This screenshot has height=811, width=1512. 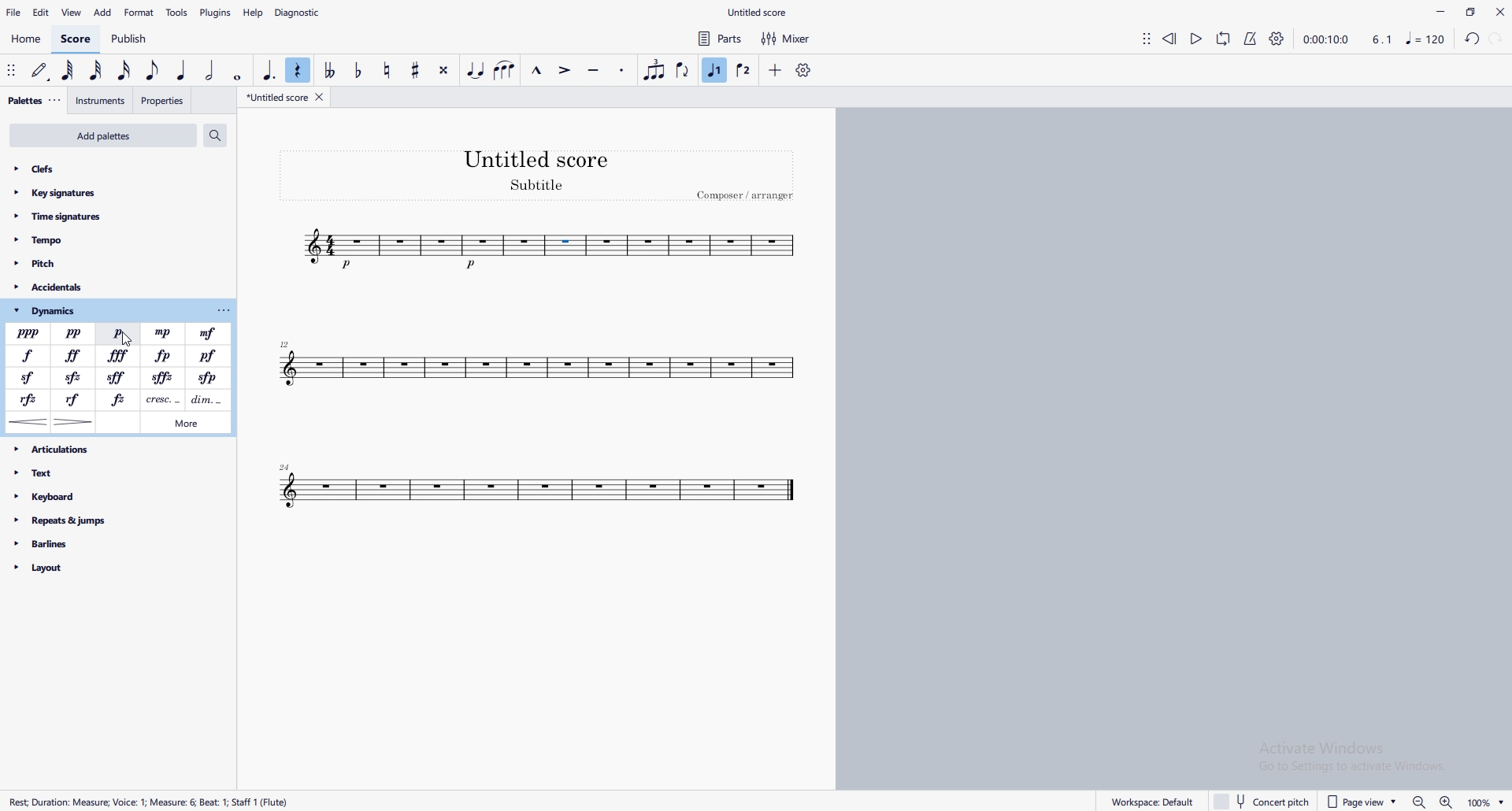 I want to click on 4.1, so click(x=1380, y=38).